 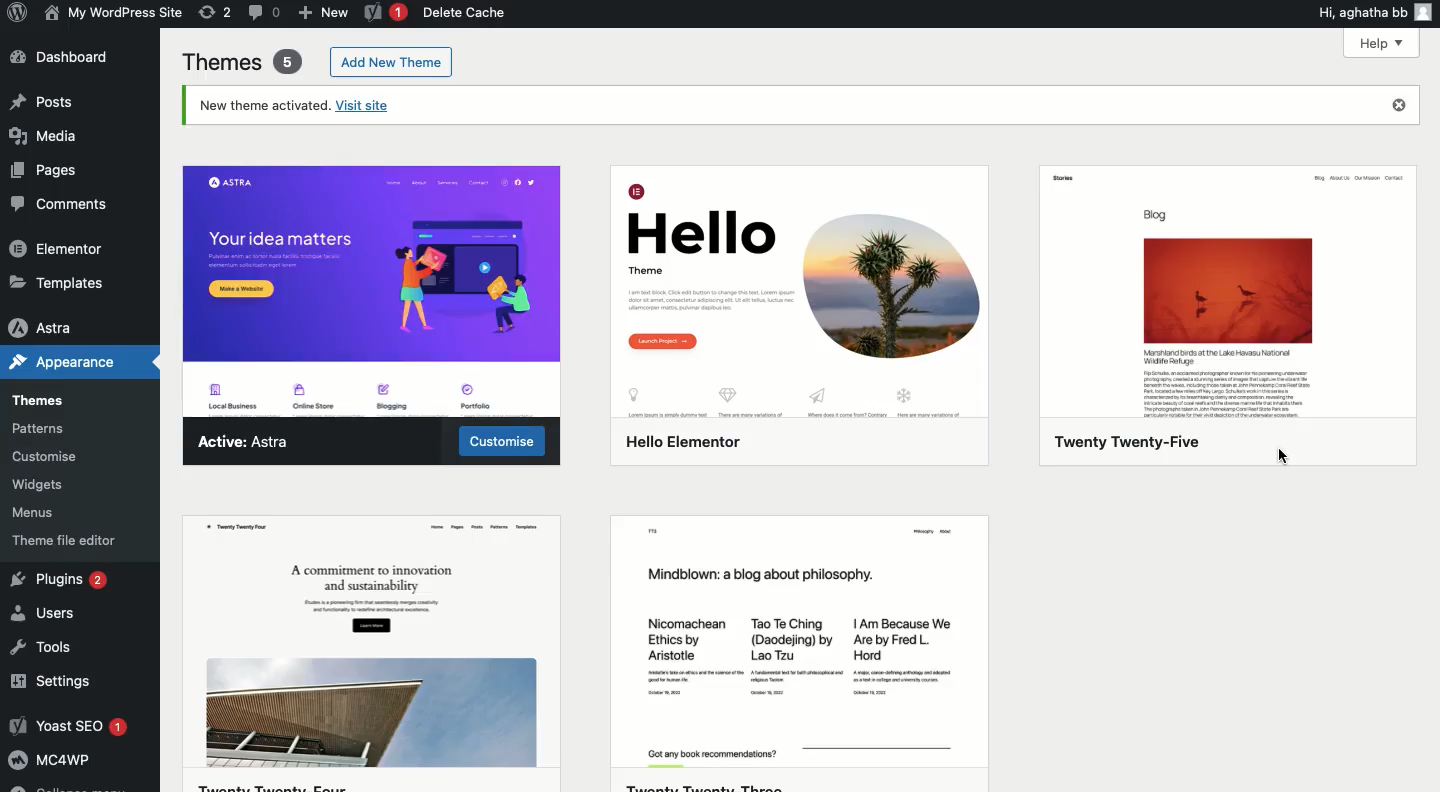 I want to click on Delete cache, so click(x=470, y=12).